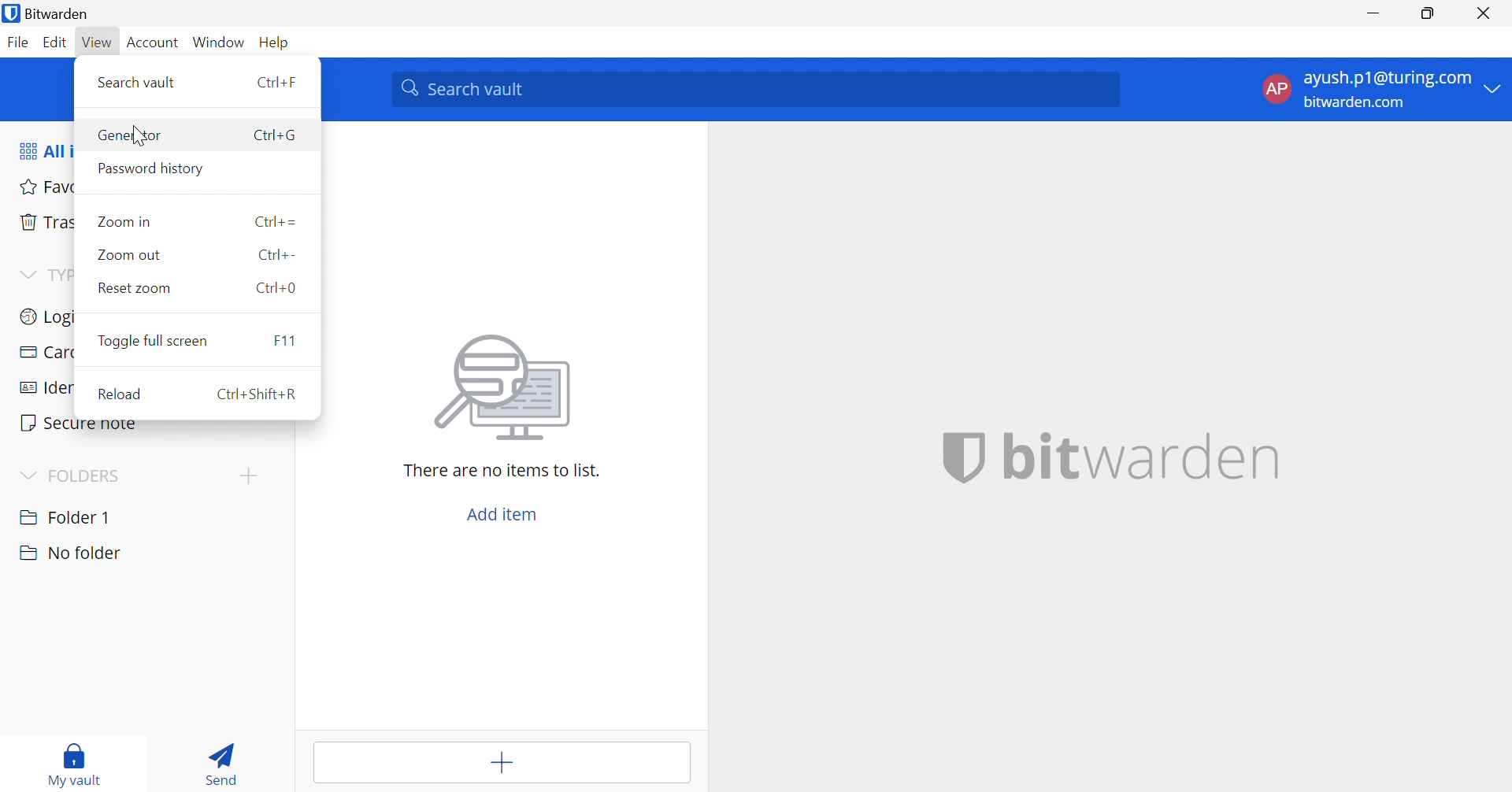 Image resolution: width=1512 pixels, height=792 pixels. I want to click on Generator, so click(133, 138).